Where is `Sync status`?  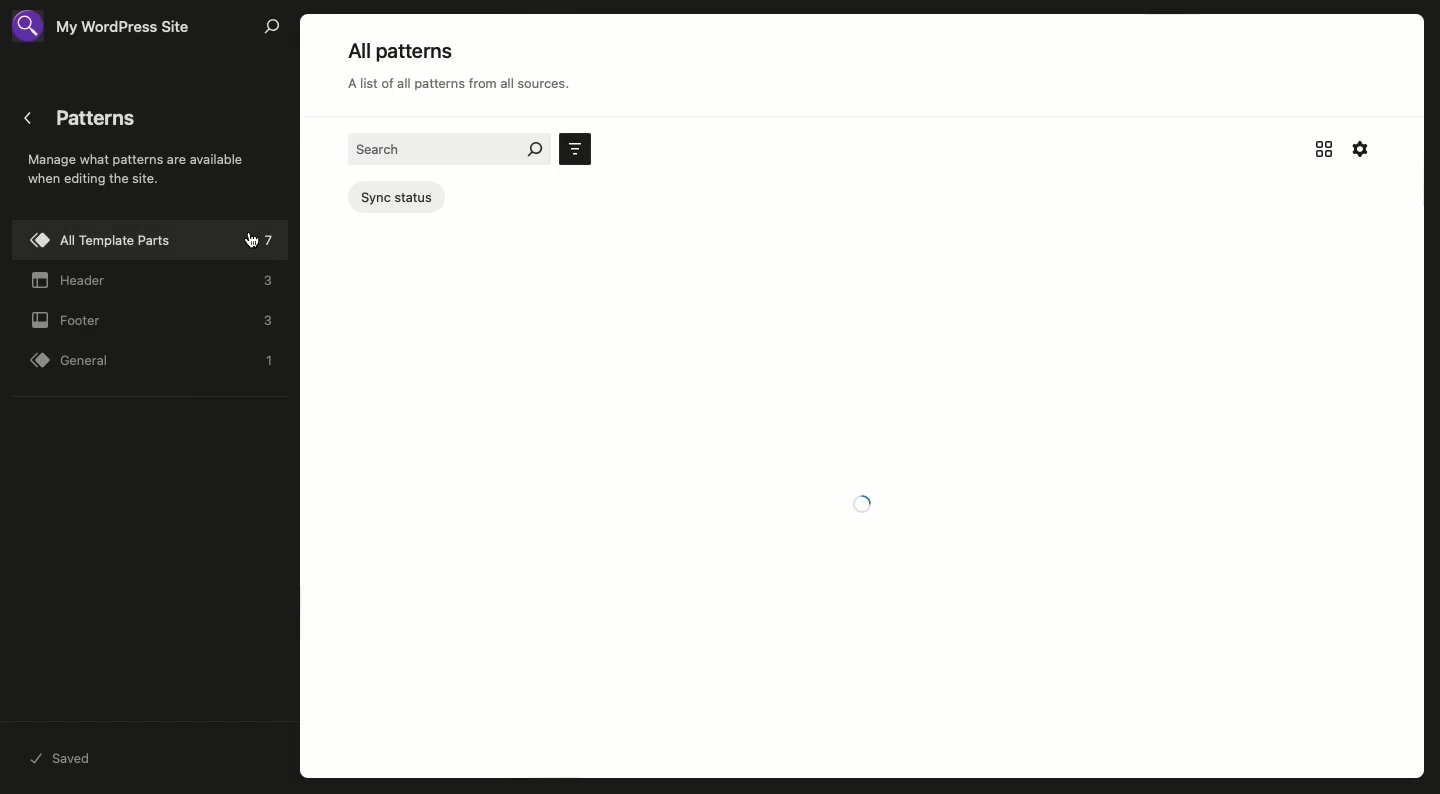
Sync status is located at coordinates (400, 198).